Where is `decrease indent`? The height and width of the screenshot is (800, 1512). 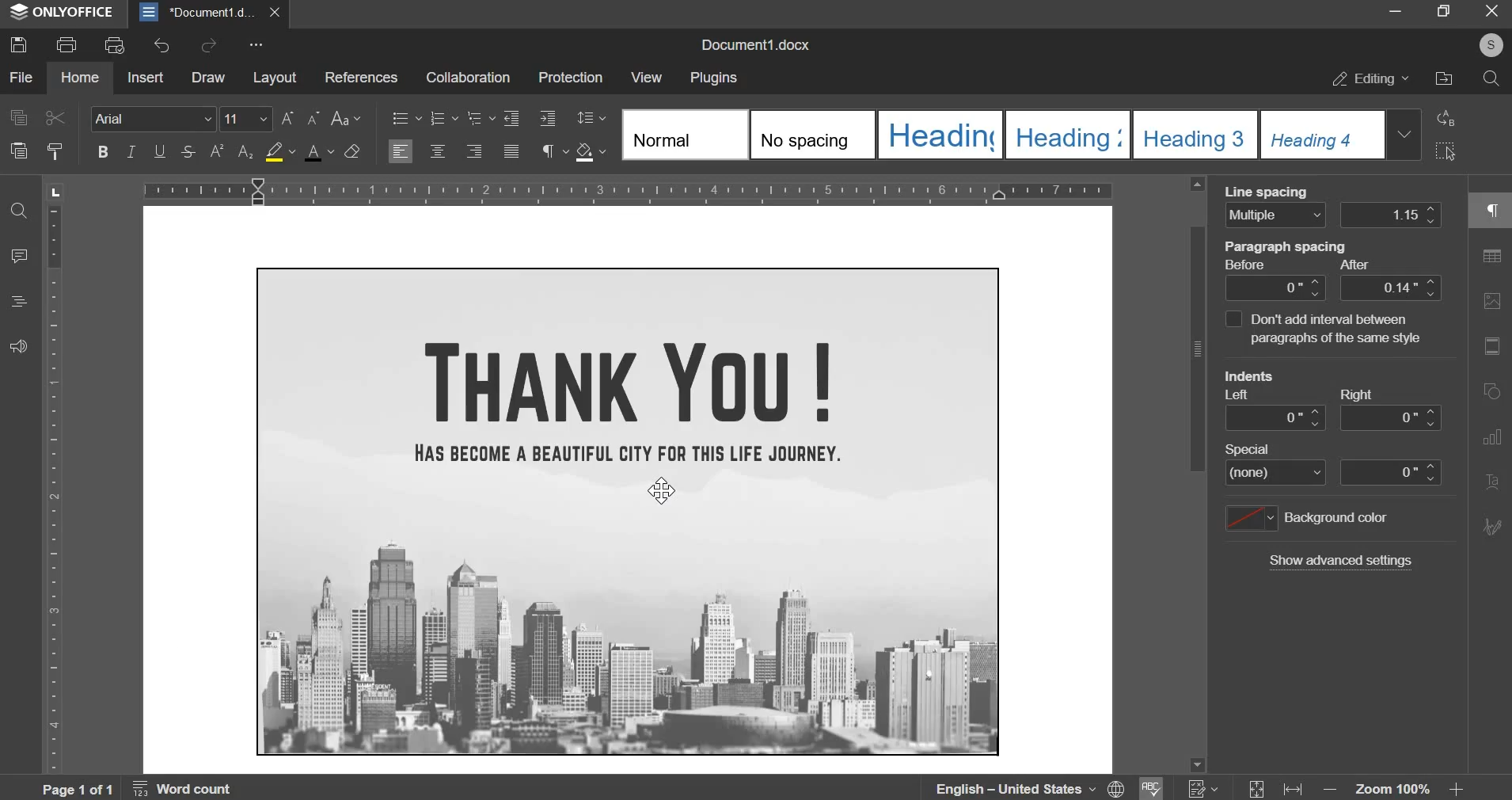
decrease indent is located at coordinates (511, 118).